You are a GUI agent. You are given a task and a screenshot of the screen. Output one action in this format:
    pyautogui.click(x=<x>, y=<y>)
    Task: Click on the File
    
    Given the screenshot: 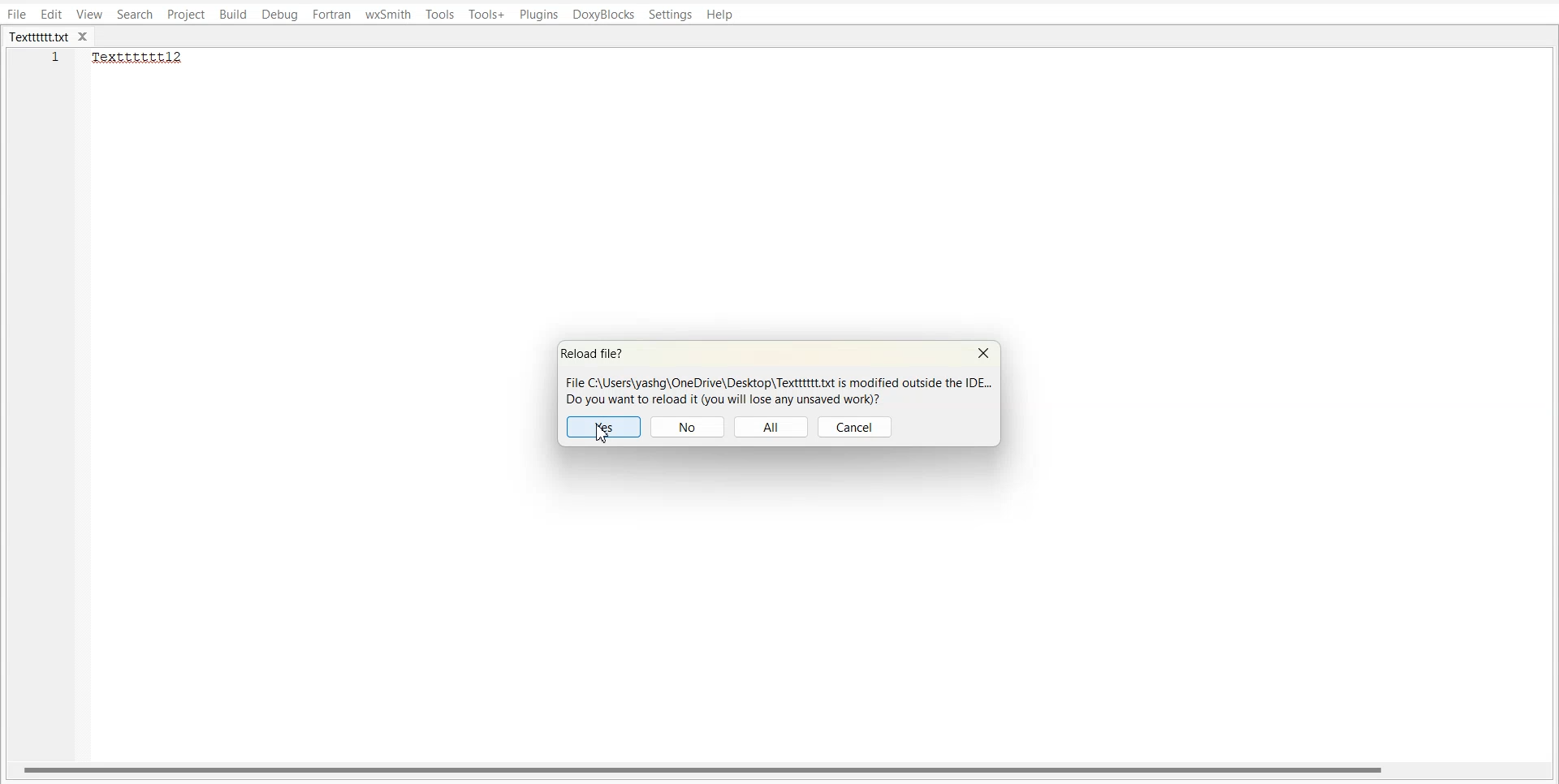 What is the action you would take?
    pyautogui.click(x=16, y=14)
    